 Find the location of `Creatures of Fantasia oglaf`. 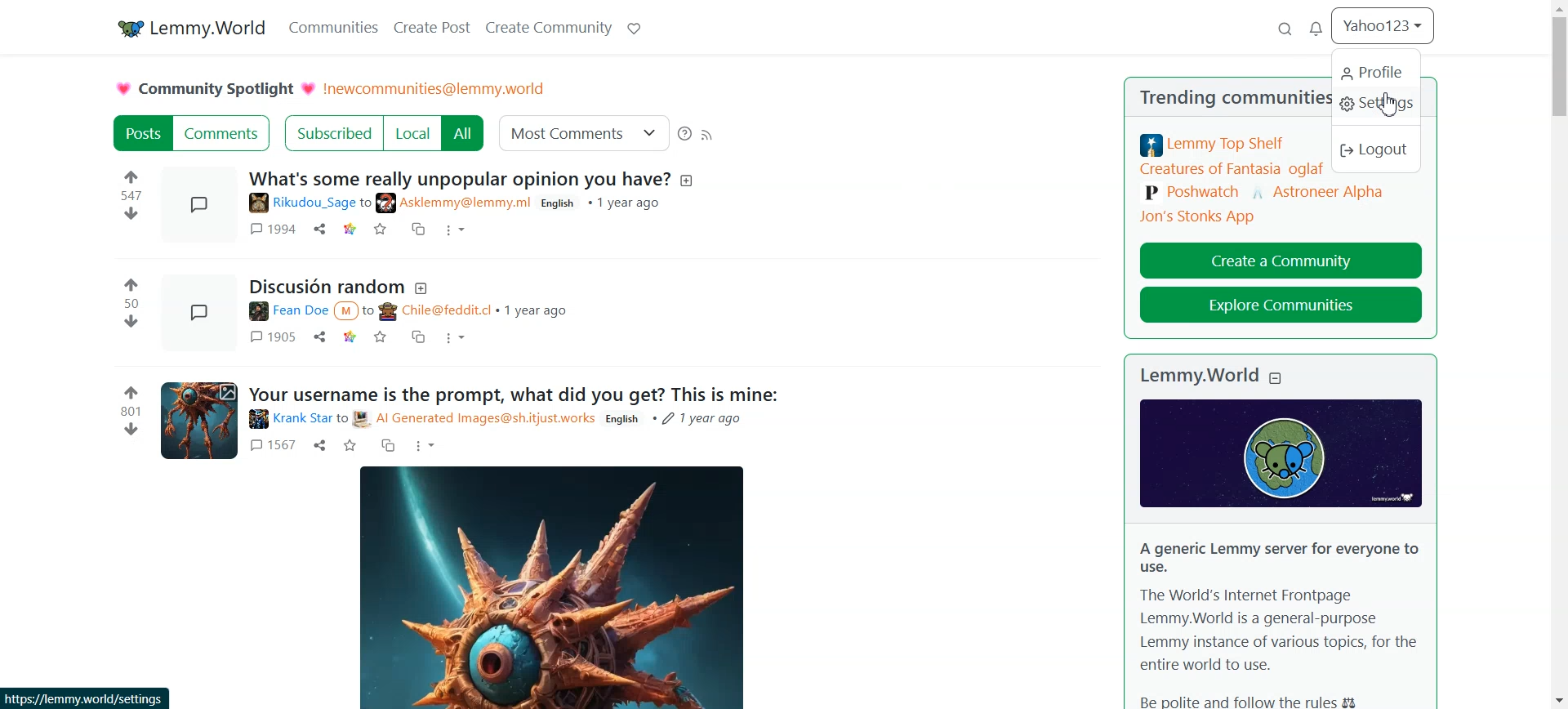

Creatures of Fantasia oglaf is located at coordinates (1232, 170).